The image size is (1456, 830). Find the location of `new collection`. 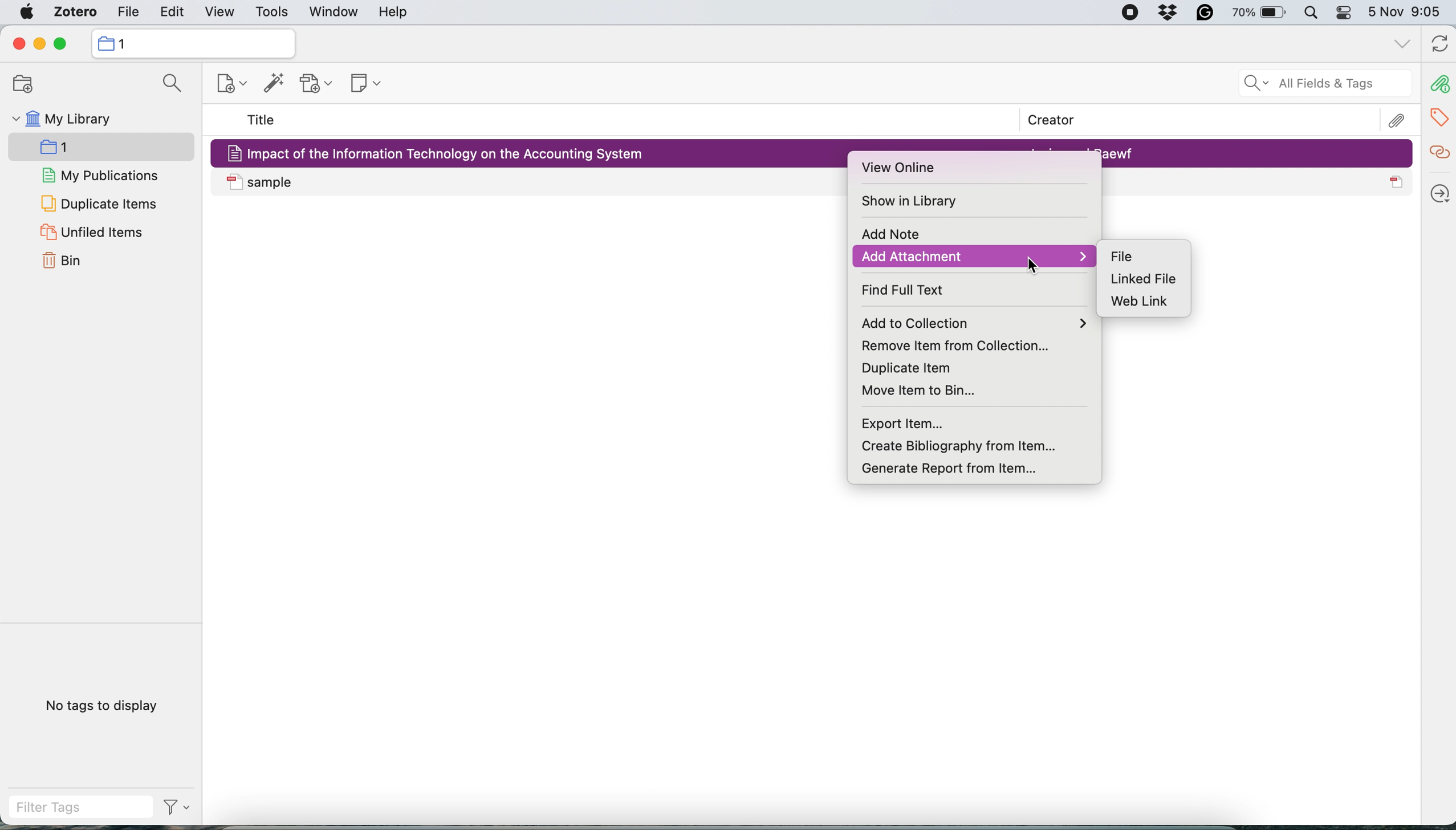

new collection is located at coordinates (223, 86).